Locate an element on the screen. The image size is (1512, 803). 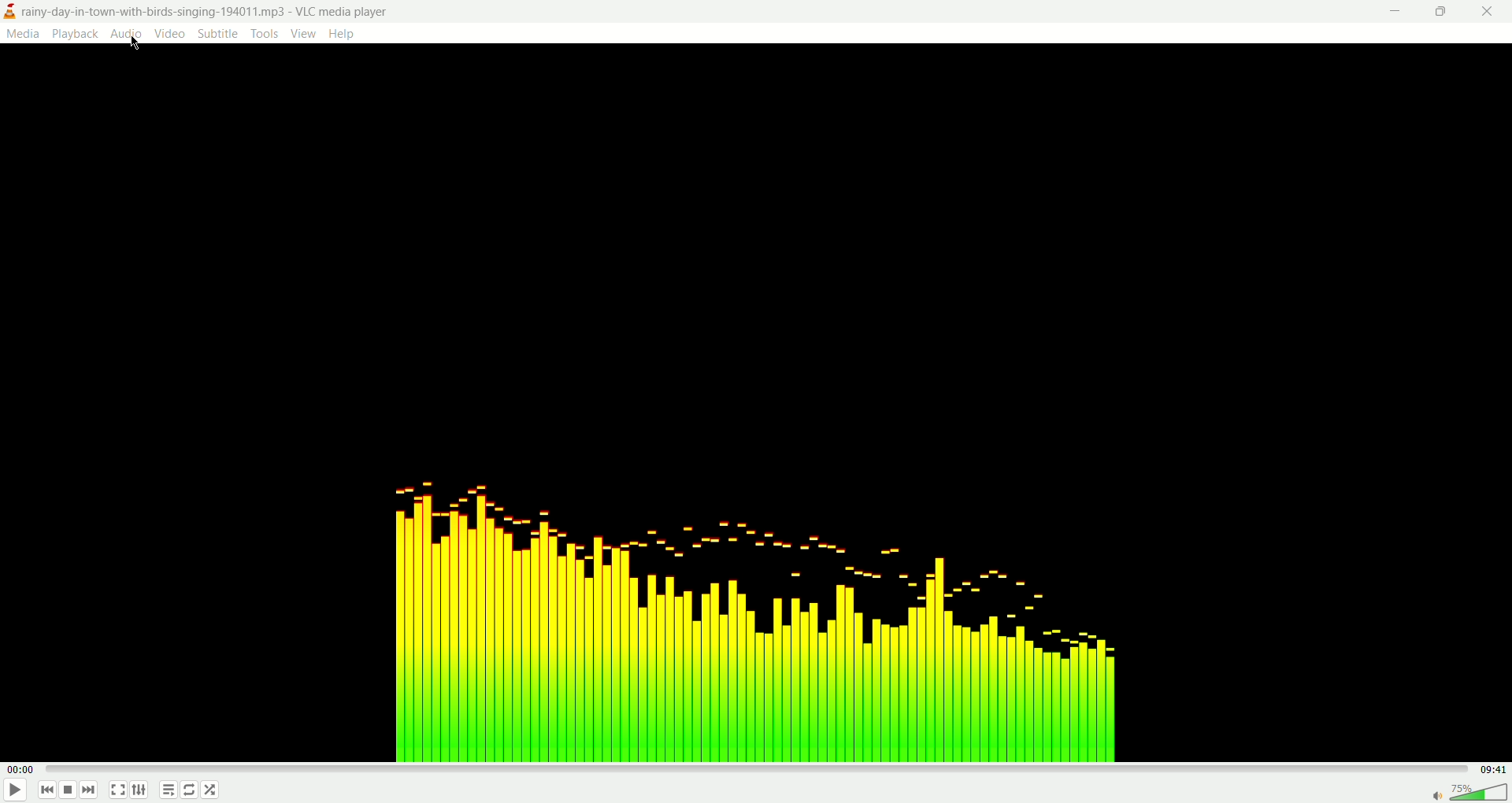
progress bar is located at coordinates (755, 768).